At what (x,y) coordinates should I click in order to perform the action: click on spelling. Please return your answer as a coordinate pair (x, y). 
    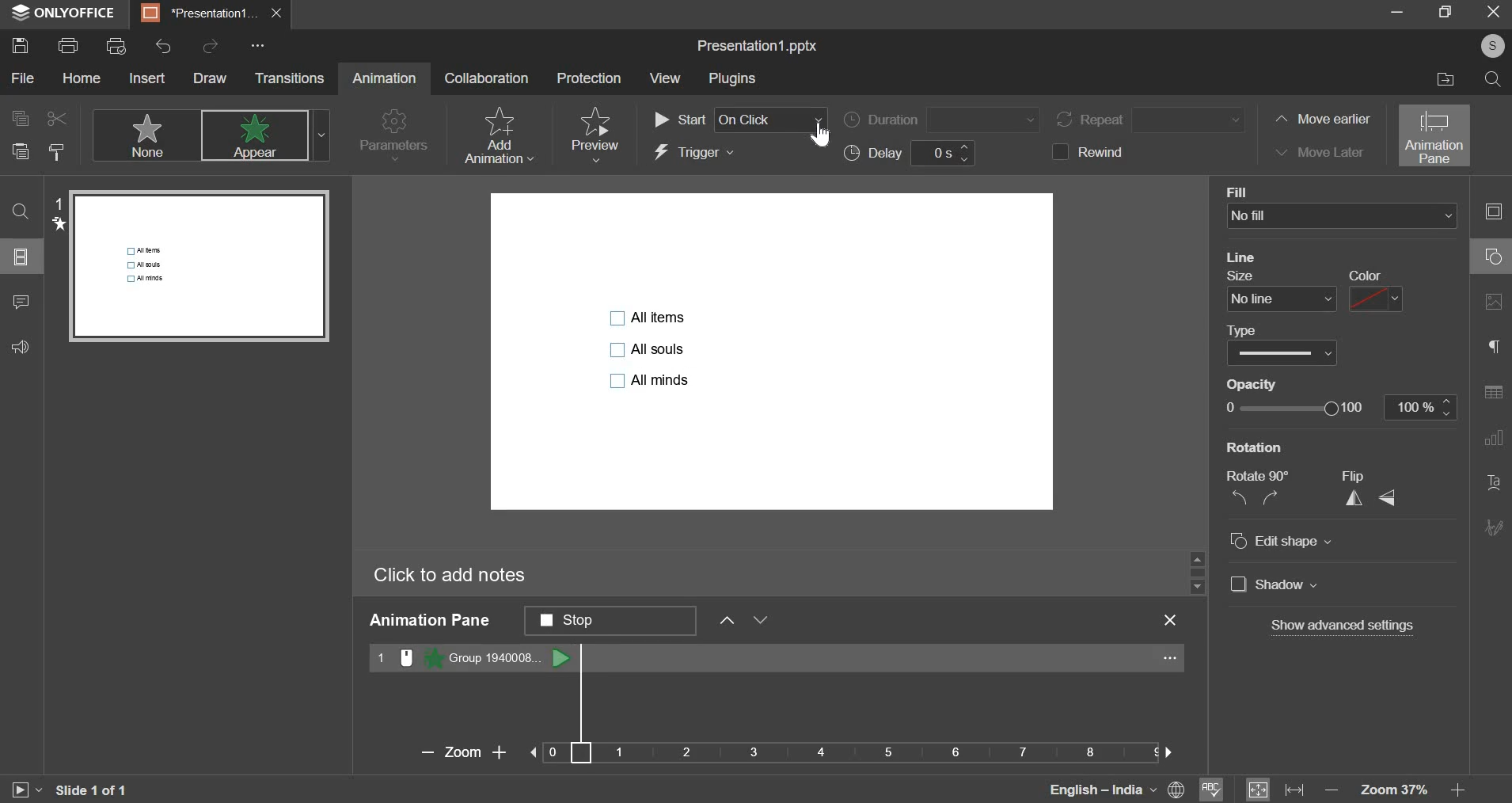
    Looking at the image, I should click on (1212, 787).